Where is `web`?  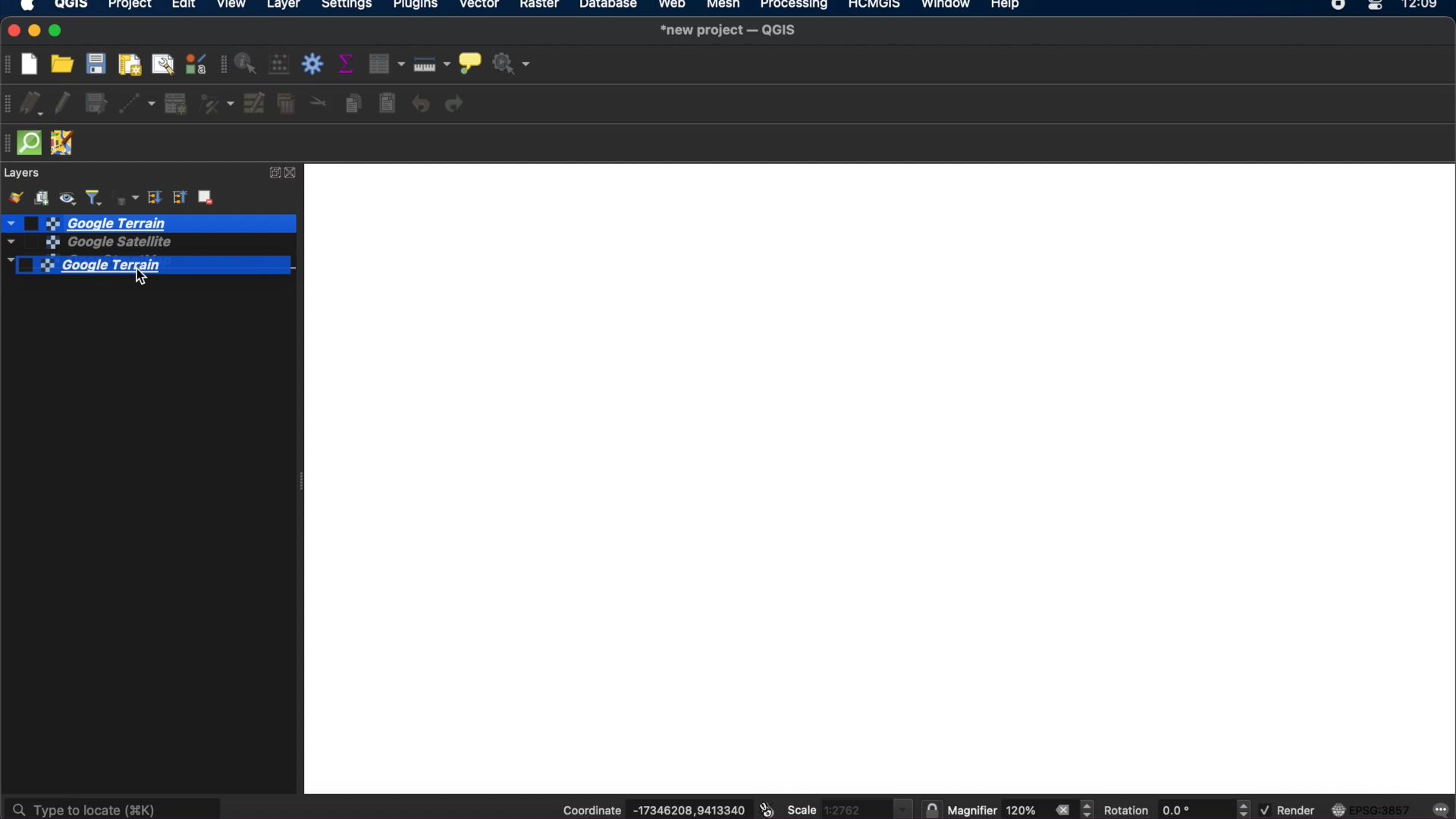
web is located at coordinates (673, 6).